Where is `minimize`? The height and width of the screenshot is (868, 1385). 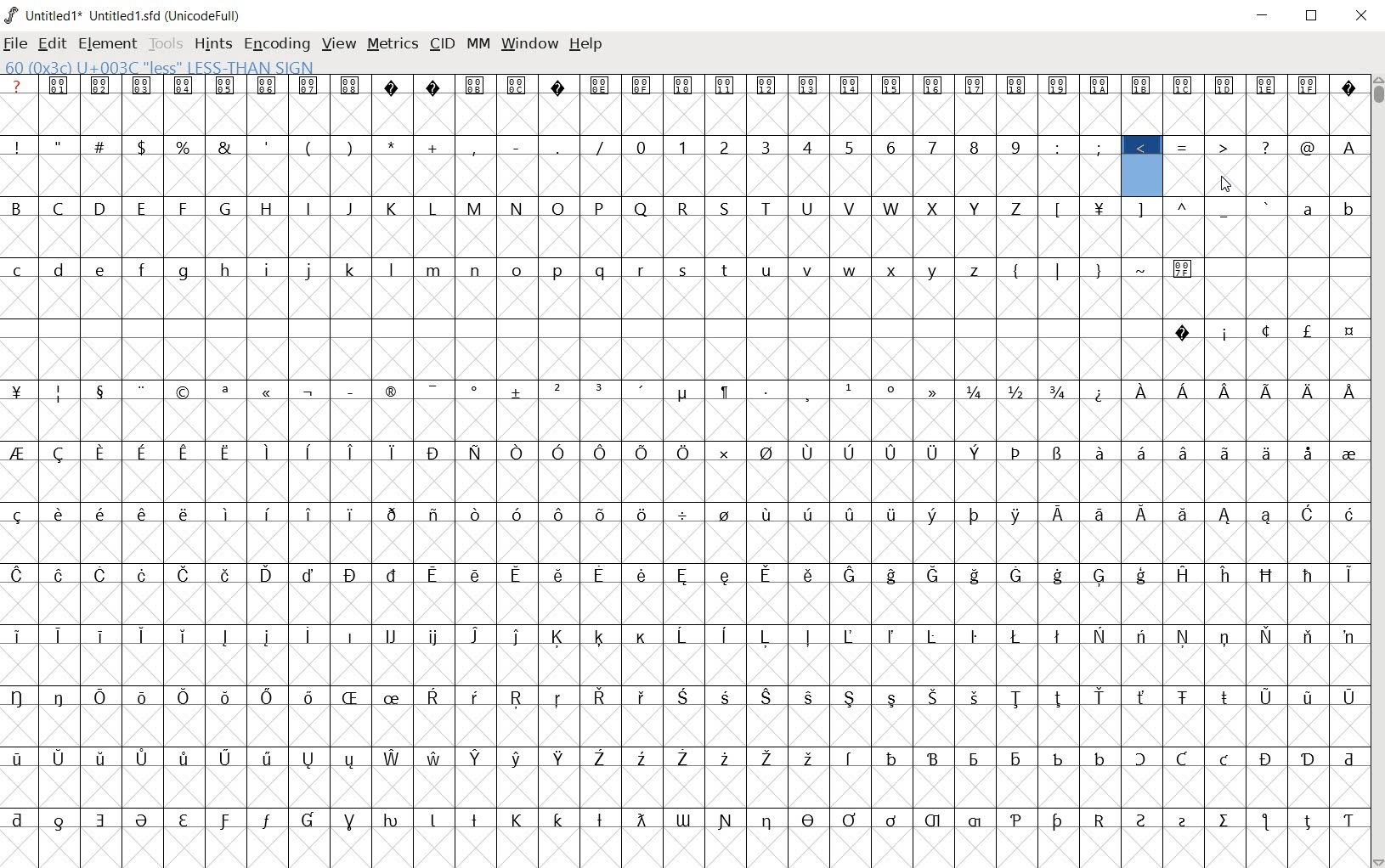 minimize is located at coordinates (1263, 16).